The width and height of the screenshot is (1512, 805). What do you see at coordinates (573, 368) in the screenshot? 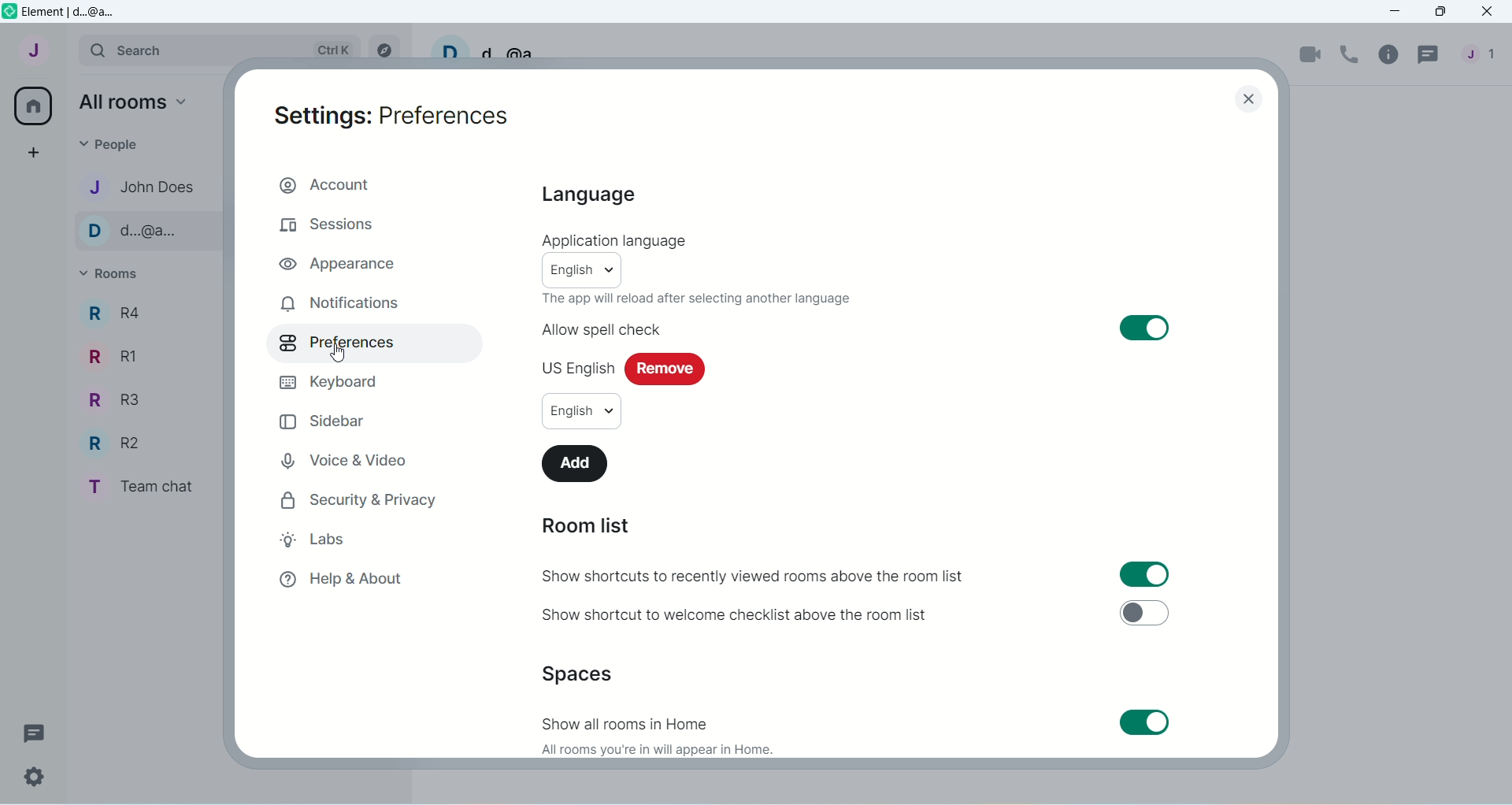
I see `US English` at bounding box center [573, 368].